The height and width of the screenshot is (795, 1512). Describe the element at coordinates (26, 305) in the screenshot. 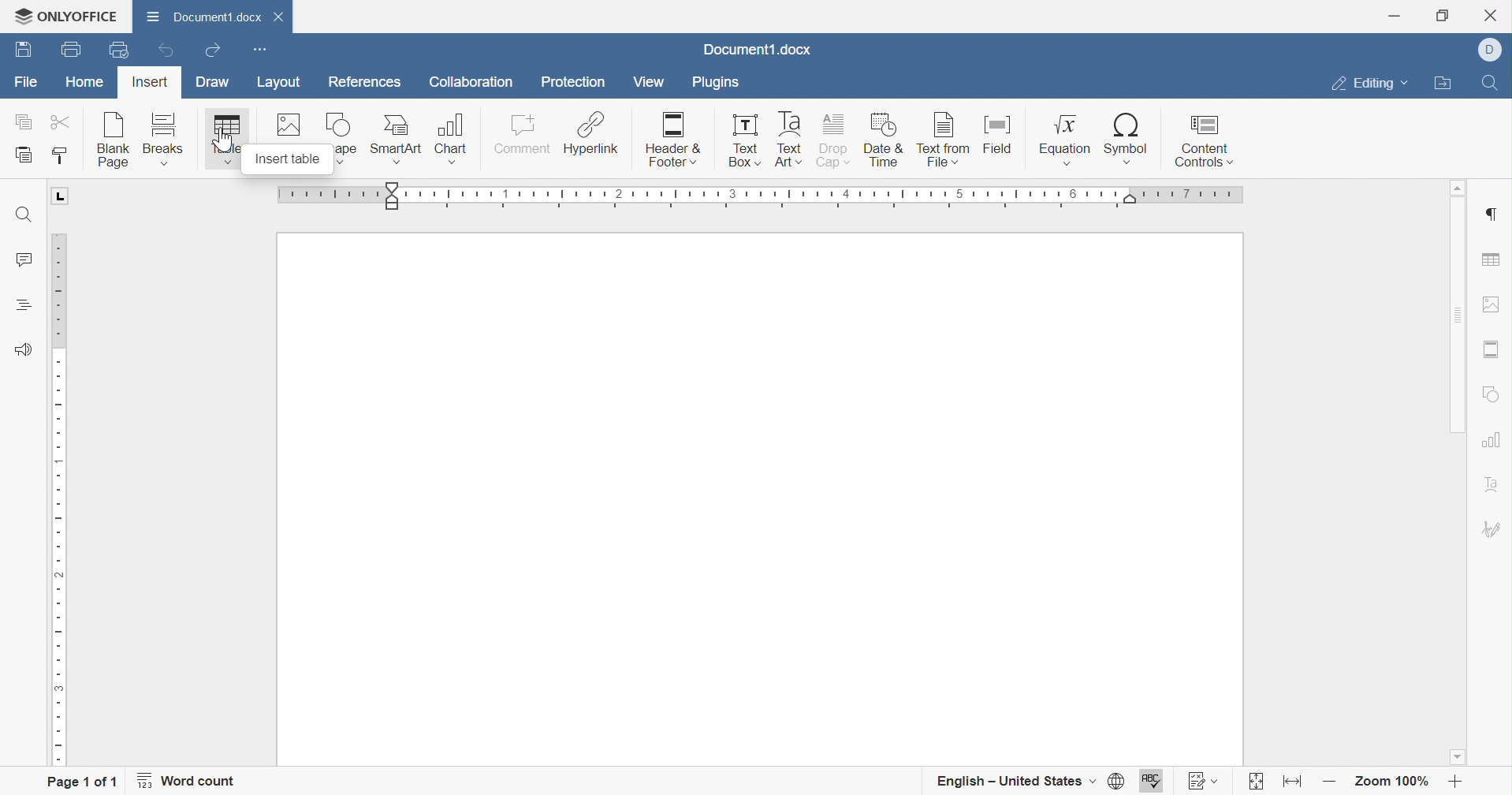

I see `Headings` at that location.